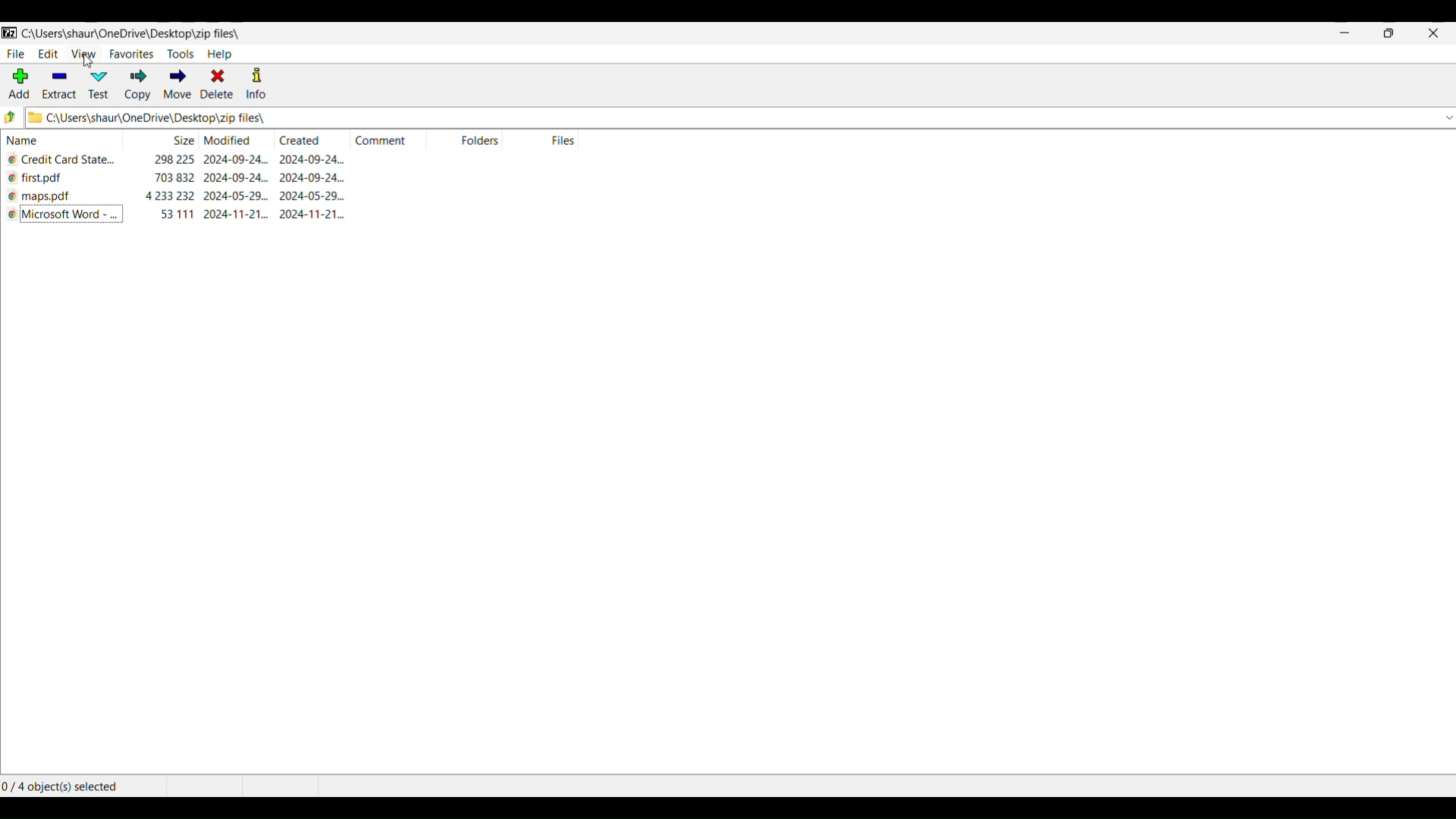  What do you see at coordinates (130, 55) in the screenshot?
I see `favorites` at bounding box center [130, 55].